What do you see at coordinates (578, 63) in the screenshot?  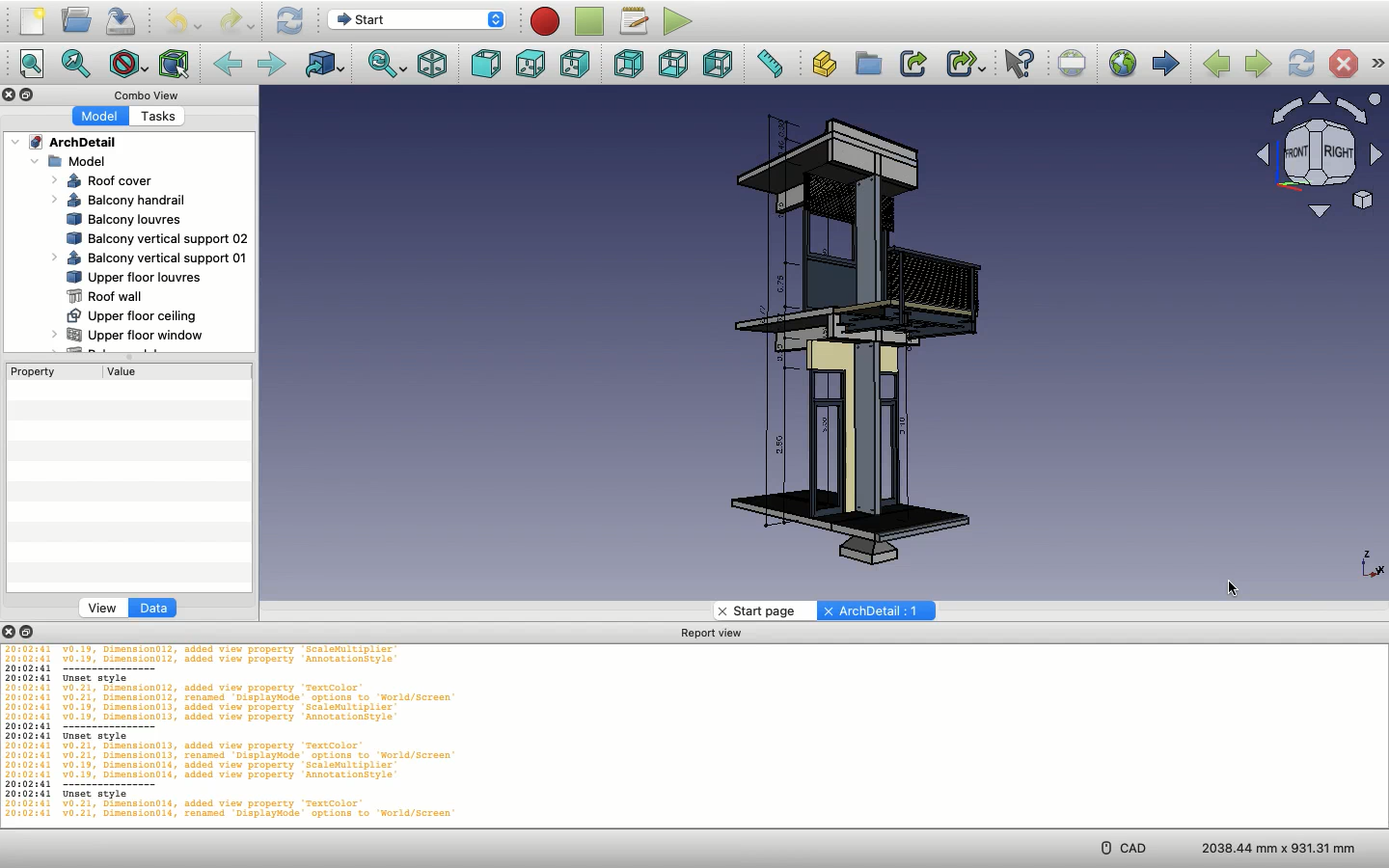 I see `Right` at bounding box center [578, 63].